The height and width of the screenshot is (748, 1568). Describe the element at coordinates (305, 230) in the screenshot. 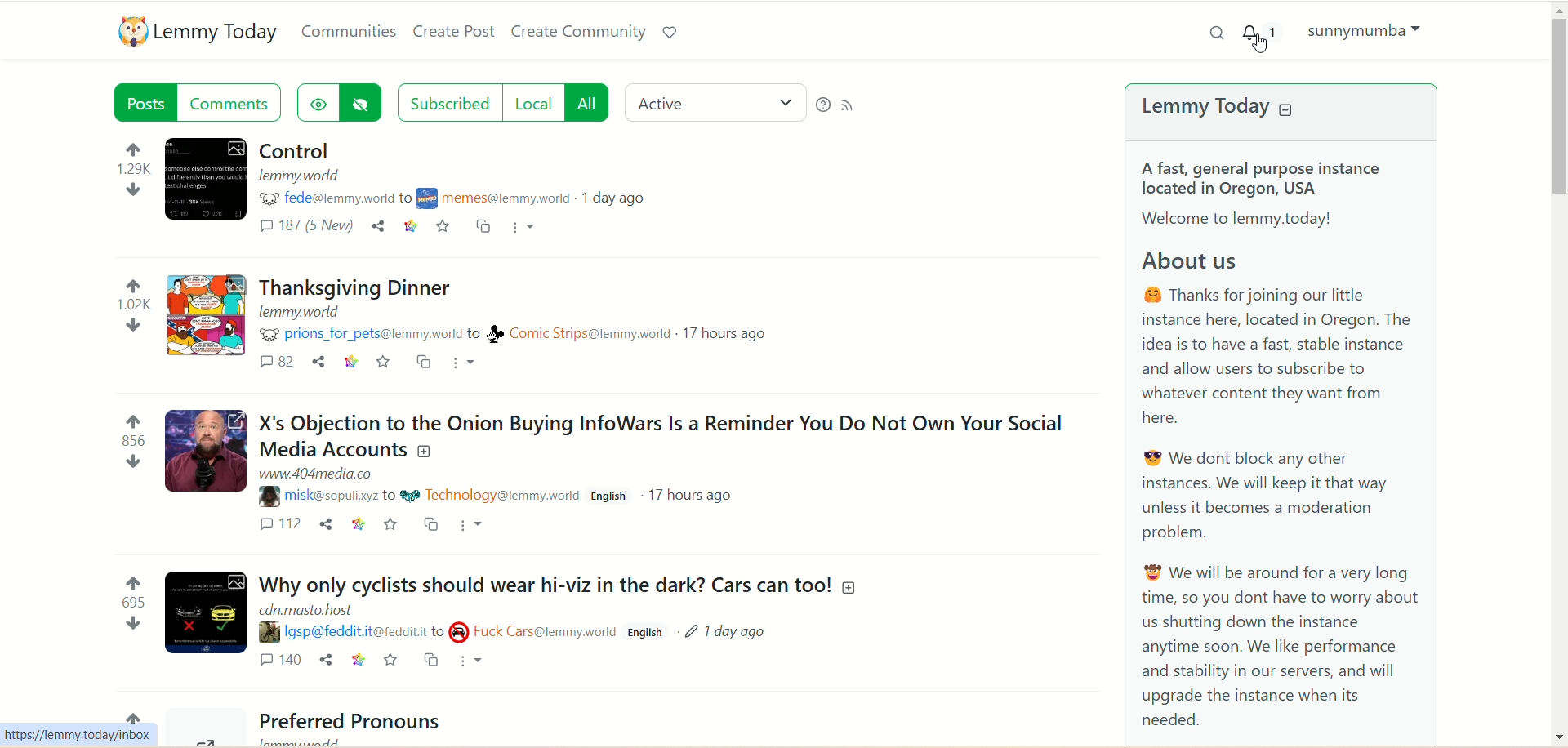

I see `comments (187) 5New` at that location.